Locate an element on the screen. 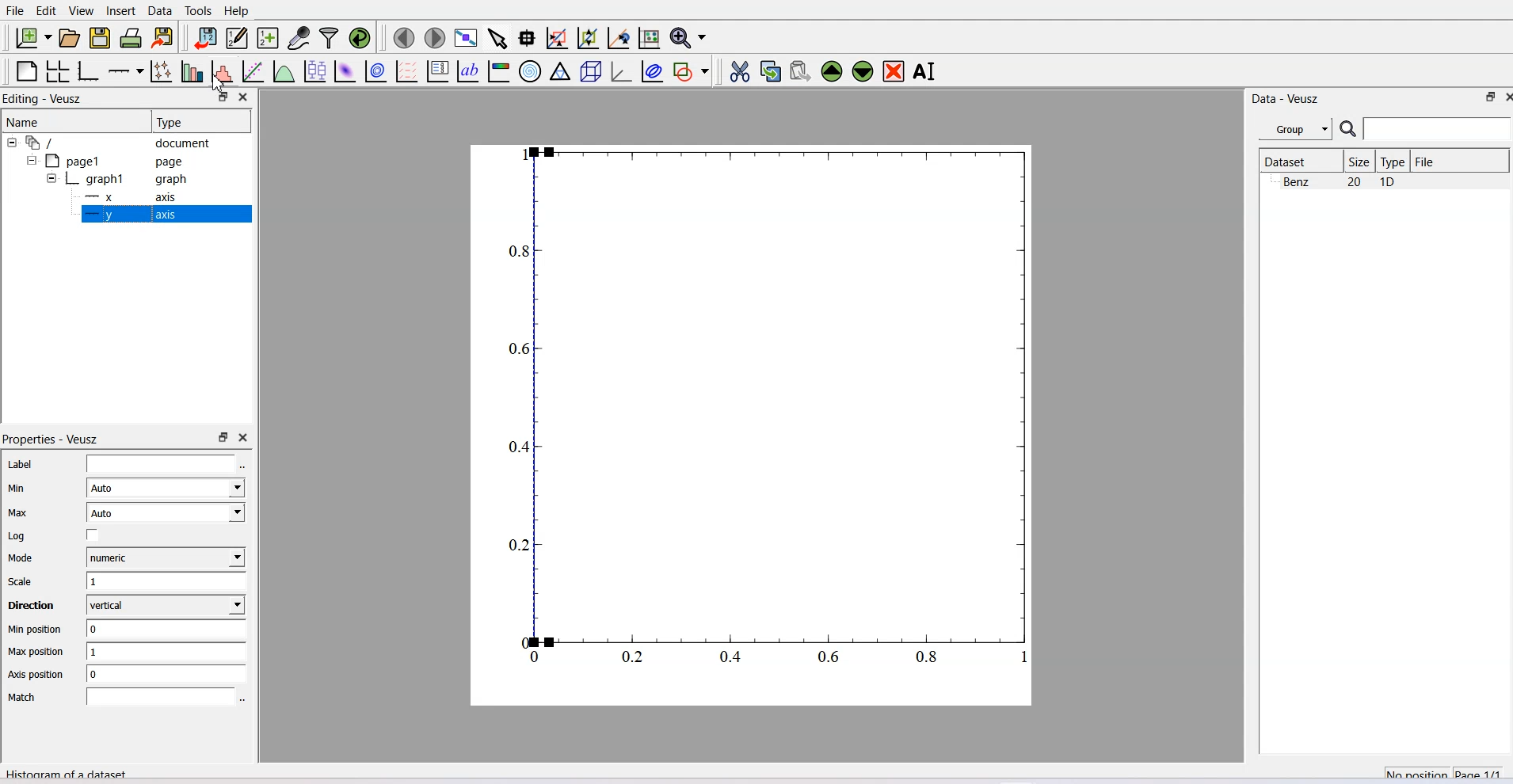  Text label is located at coordinates (467, 71).